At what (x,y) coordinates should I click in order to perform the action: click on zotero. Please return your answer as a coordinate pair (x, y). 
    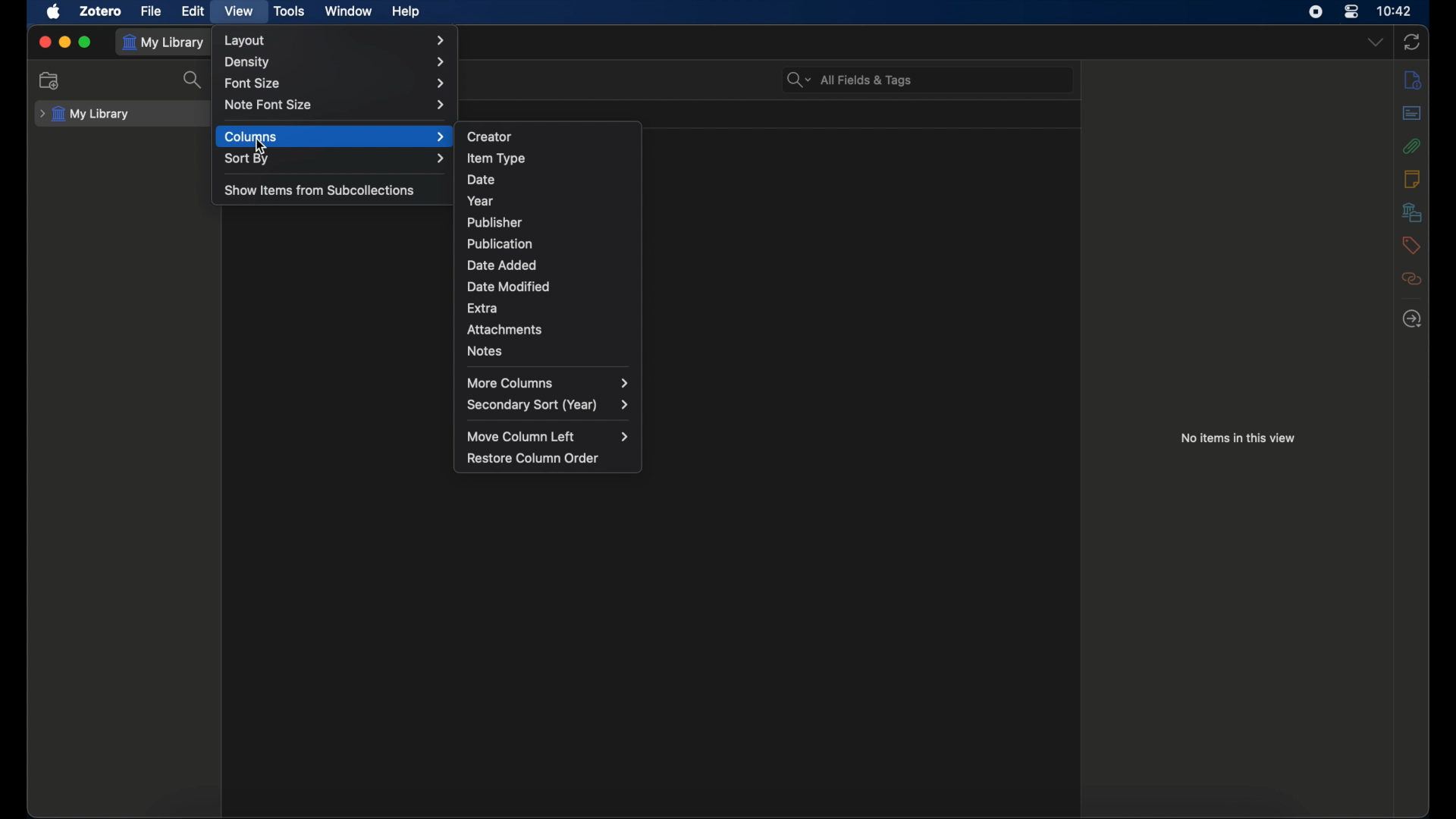
    Looking at the image, I should click on (99, 11).